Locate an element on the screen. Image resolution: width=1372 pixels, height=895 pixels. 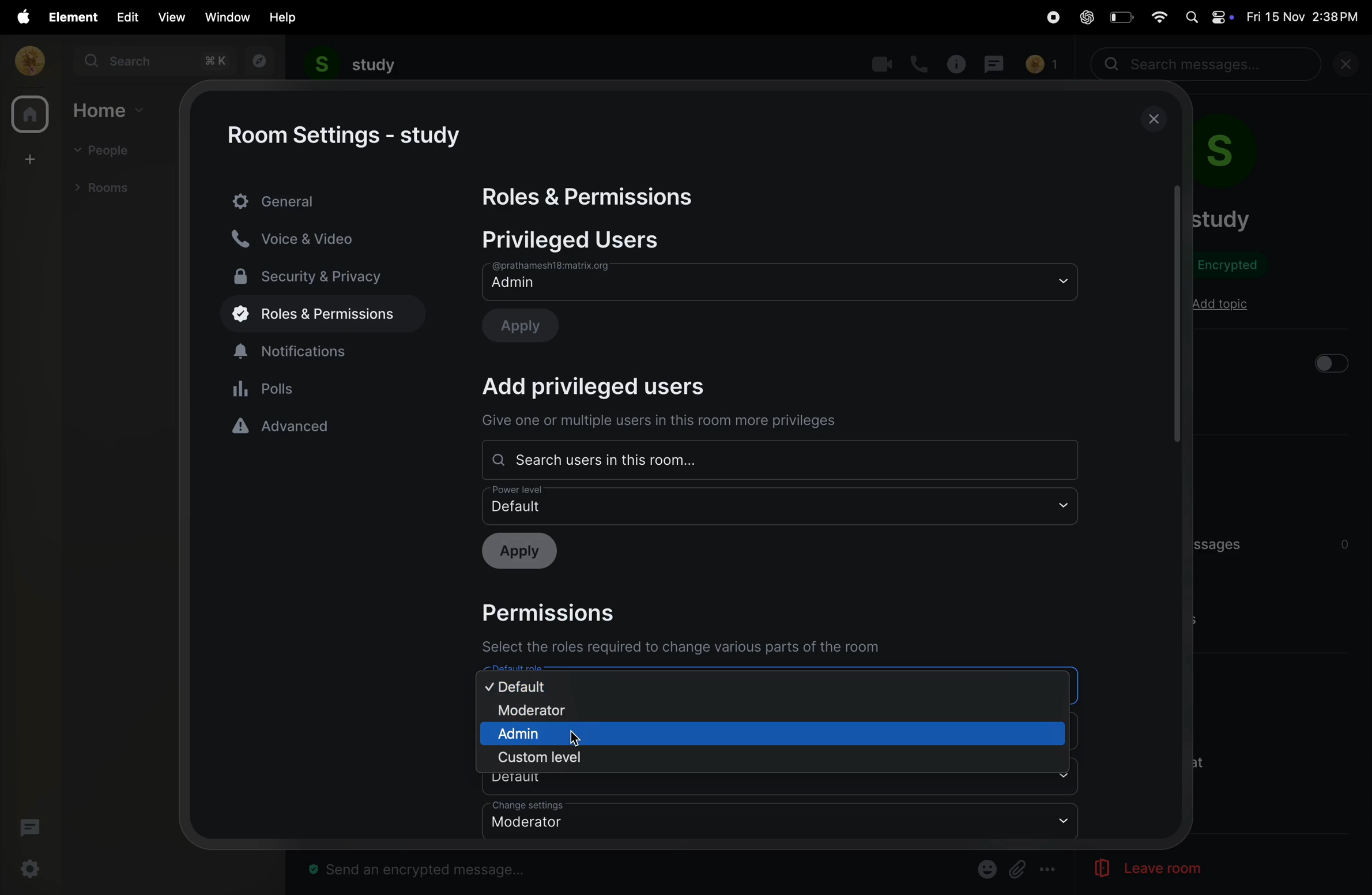
moderator is located at coordinates (554, 712).